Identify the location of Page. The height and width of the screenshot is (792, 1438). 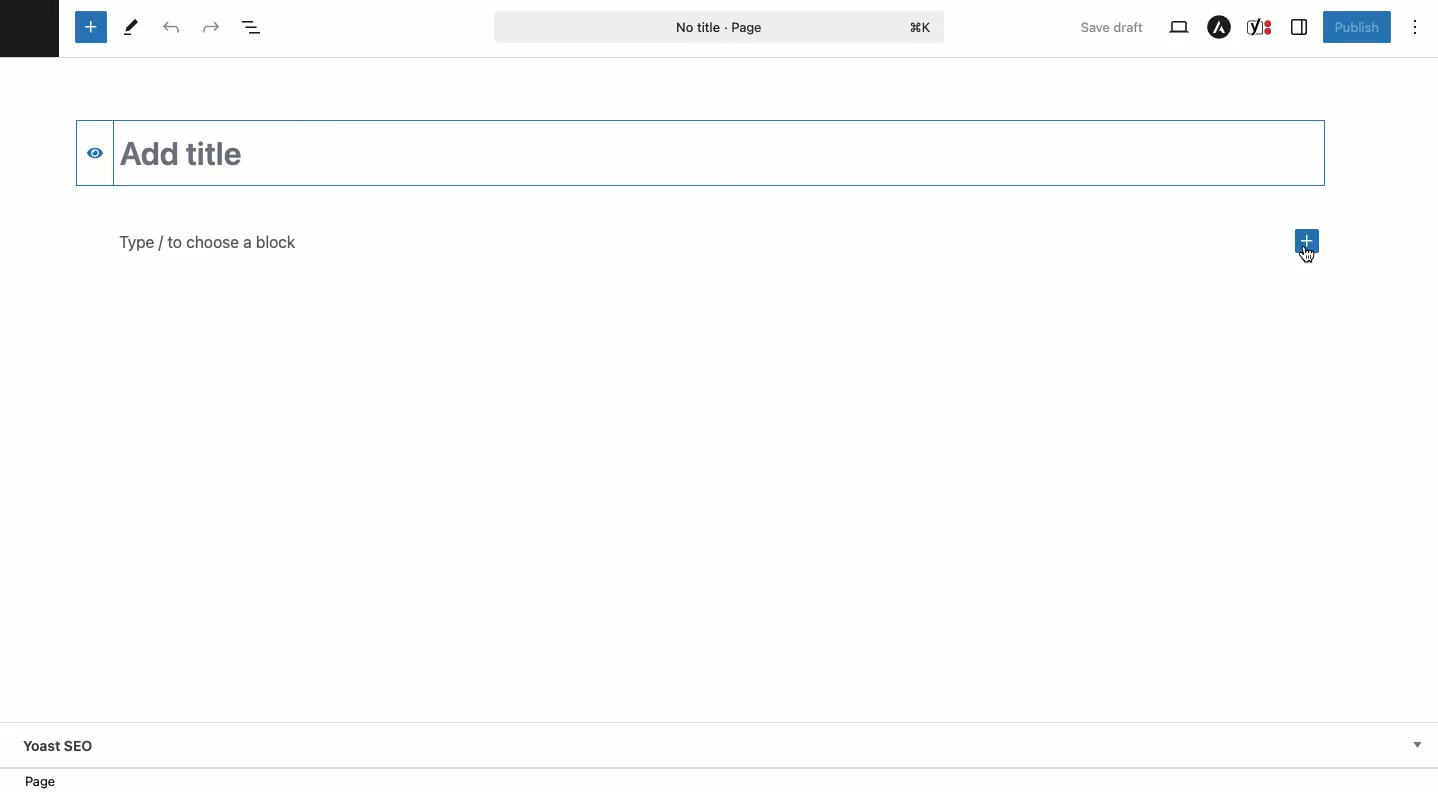
(720, 26).